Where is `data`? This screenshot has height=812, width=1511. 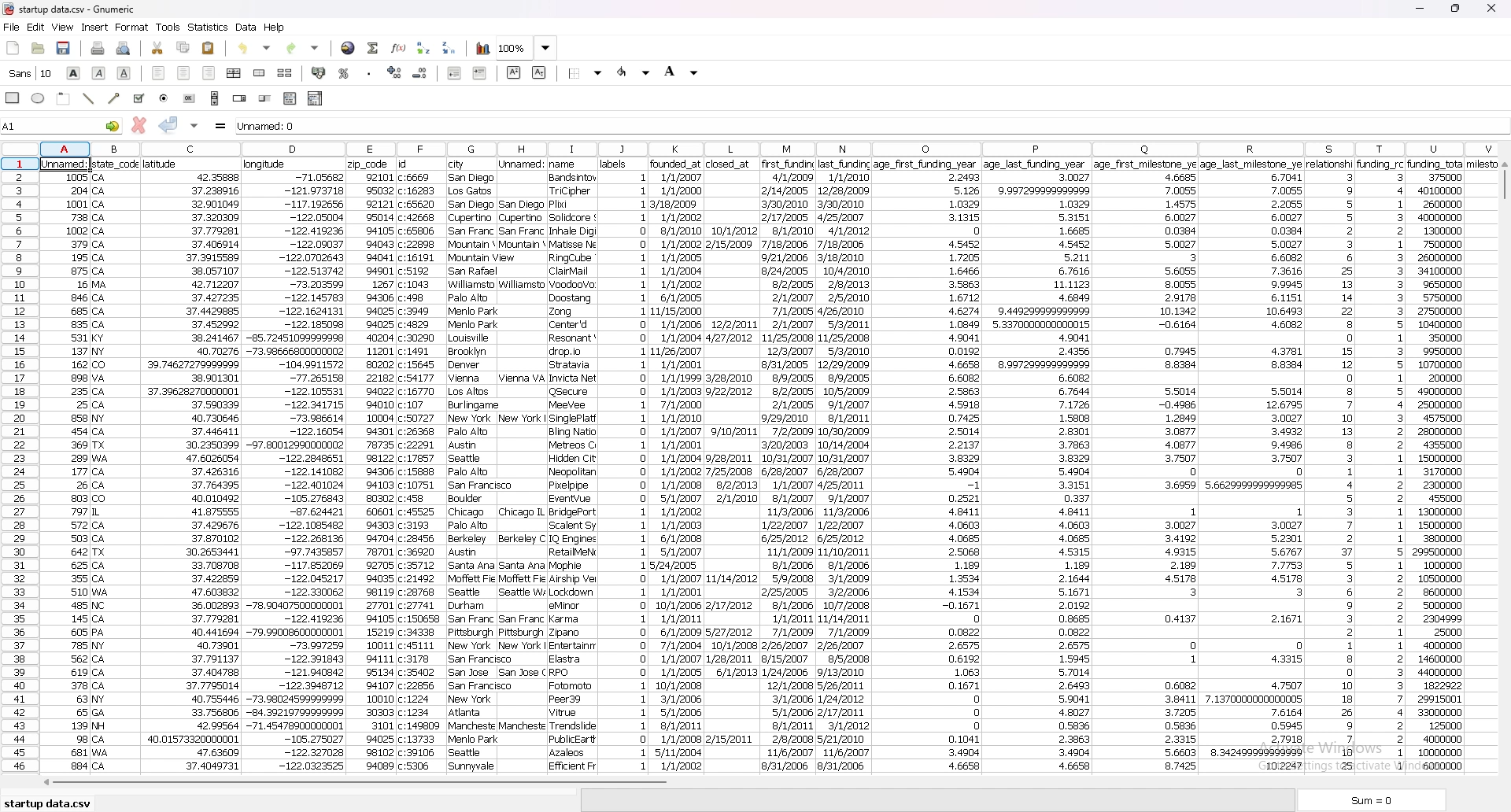 data is located at coordinates (574, 463).